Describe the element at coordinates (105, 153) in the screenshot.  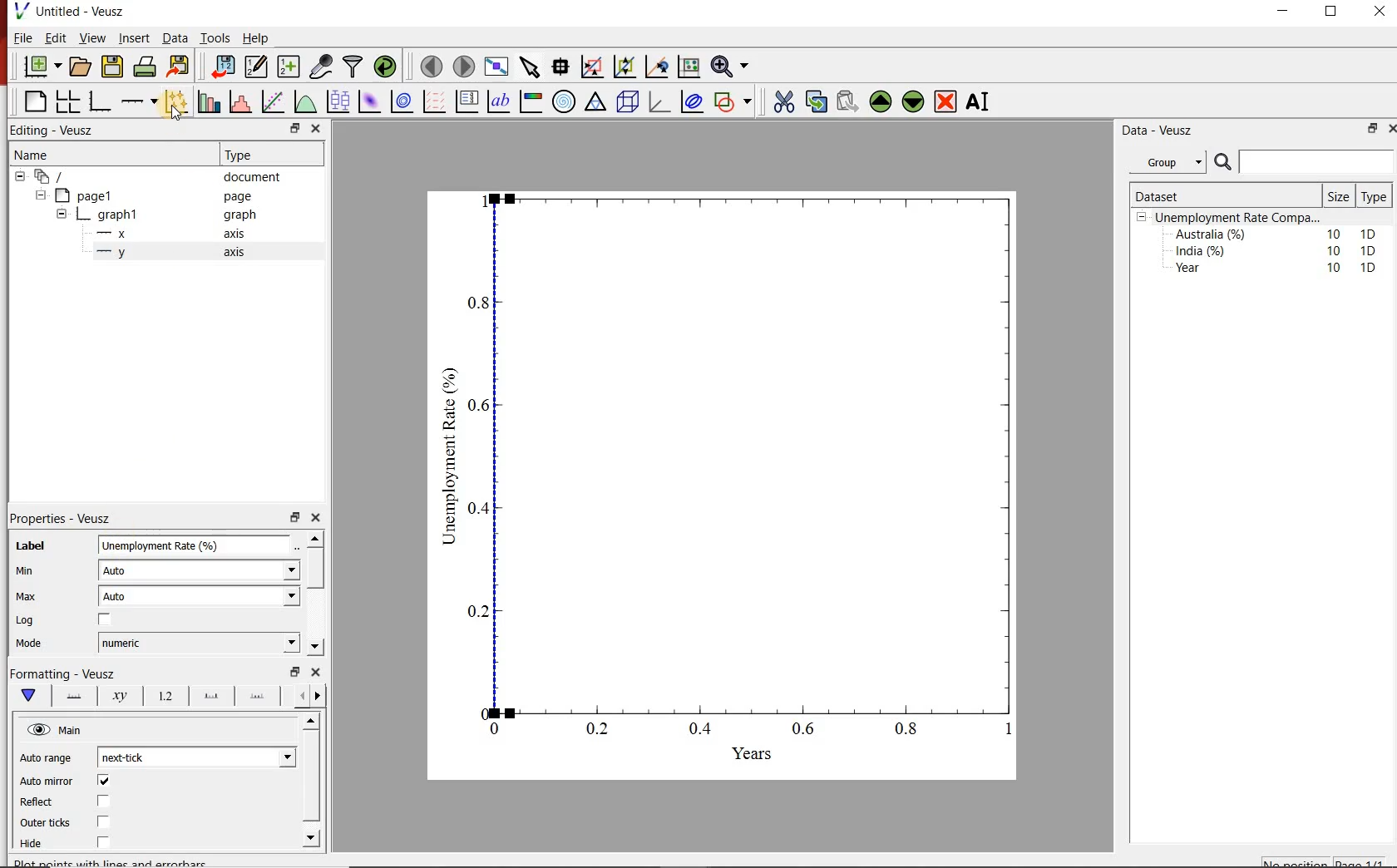
I see `Name` at that location.